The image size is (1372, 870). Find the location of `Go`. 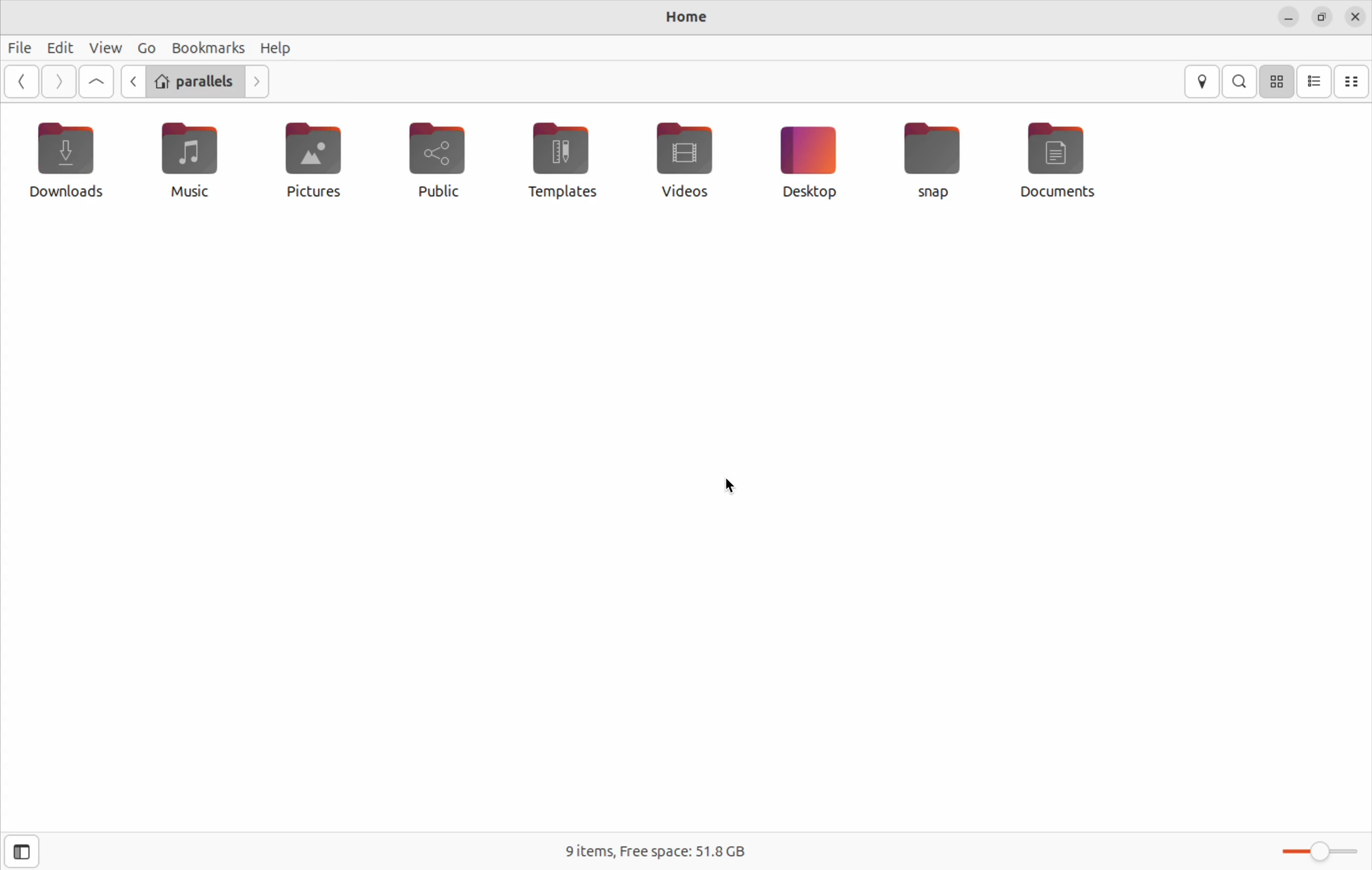

Go is located at coordinates (145, 47).